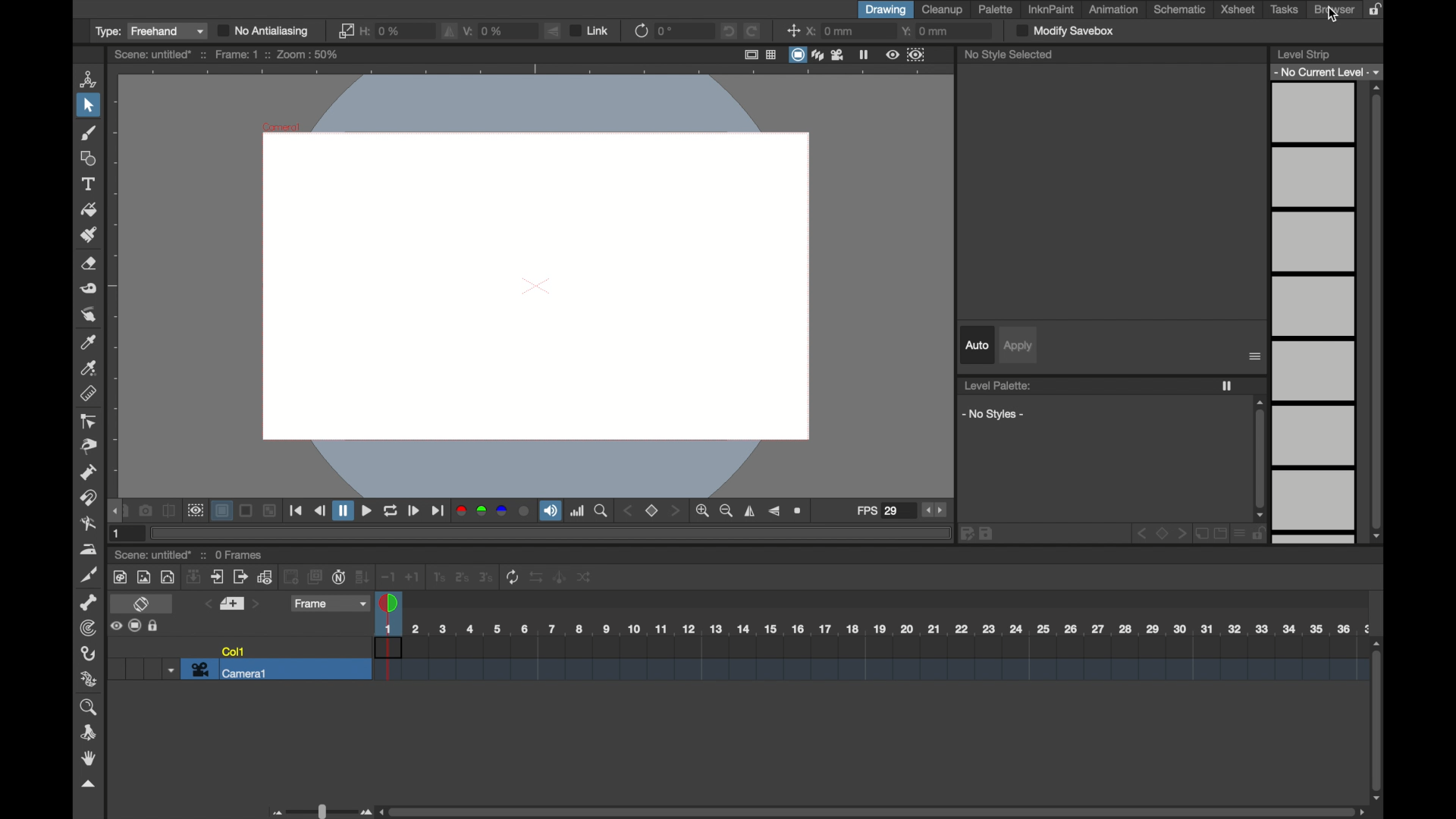 The image size is (1456, 819). What do you see at coordinates (749, 54) in the screenshot?
I see `full screen` at bounding box center [749, 54].